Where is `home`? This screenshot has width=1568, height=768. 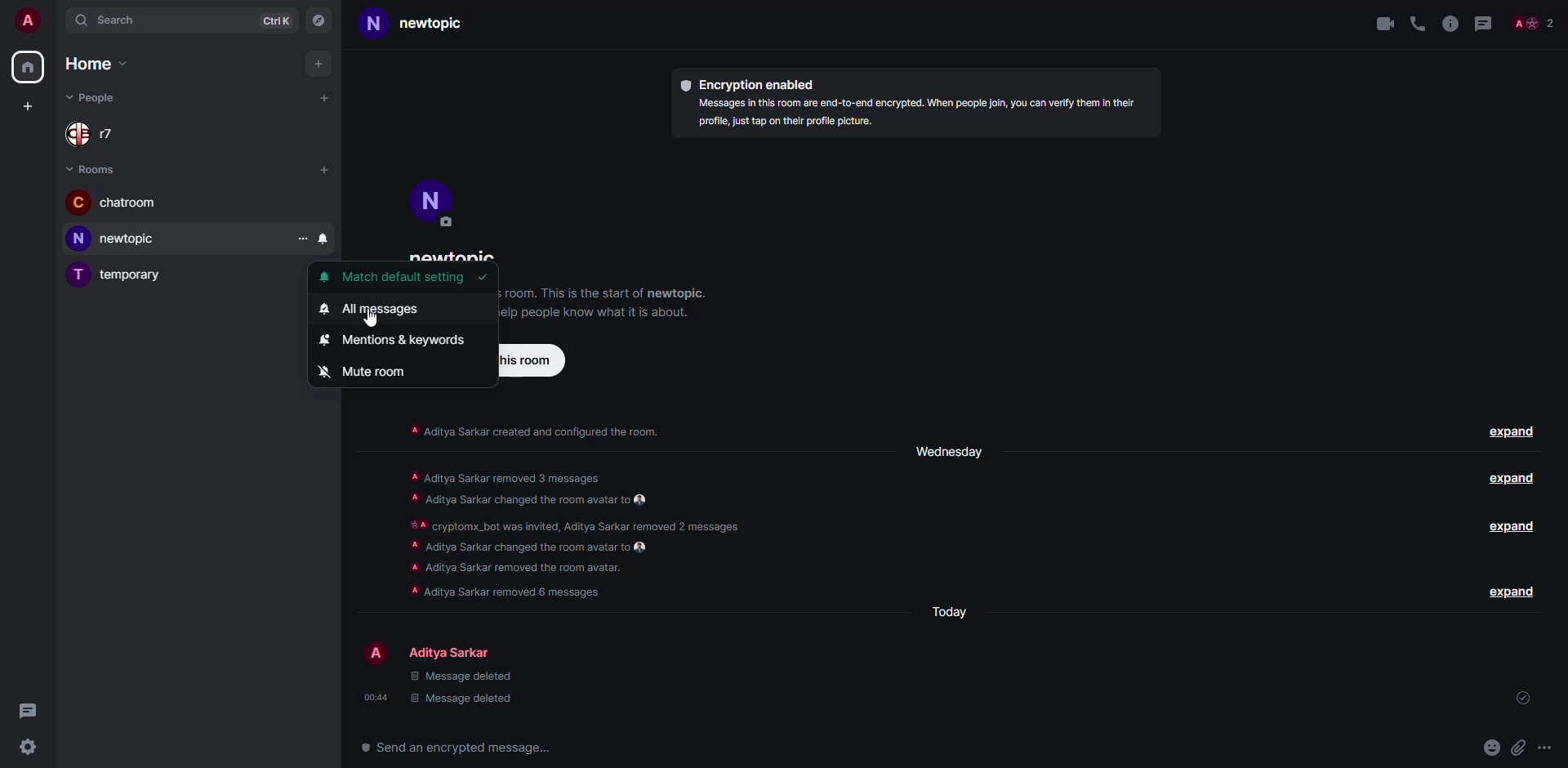
home is located at coordinates (96, 63).